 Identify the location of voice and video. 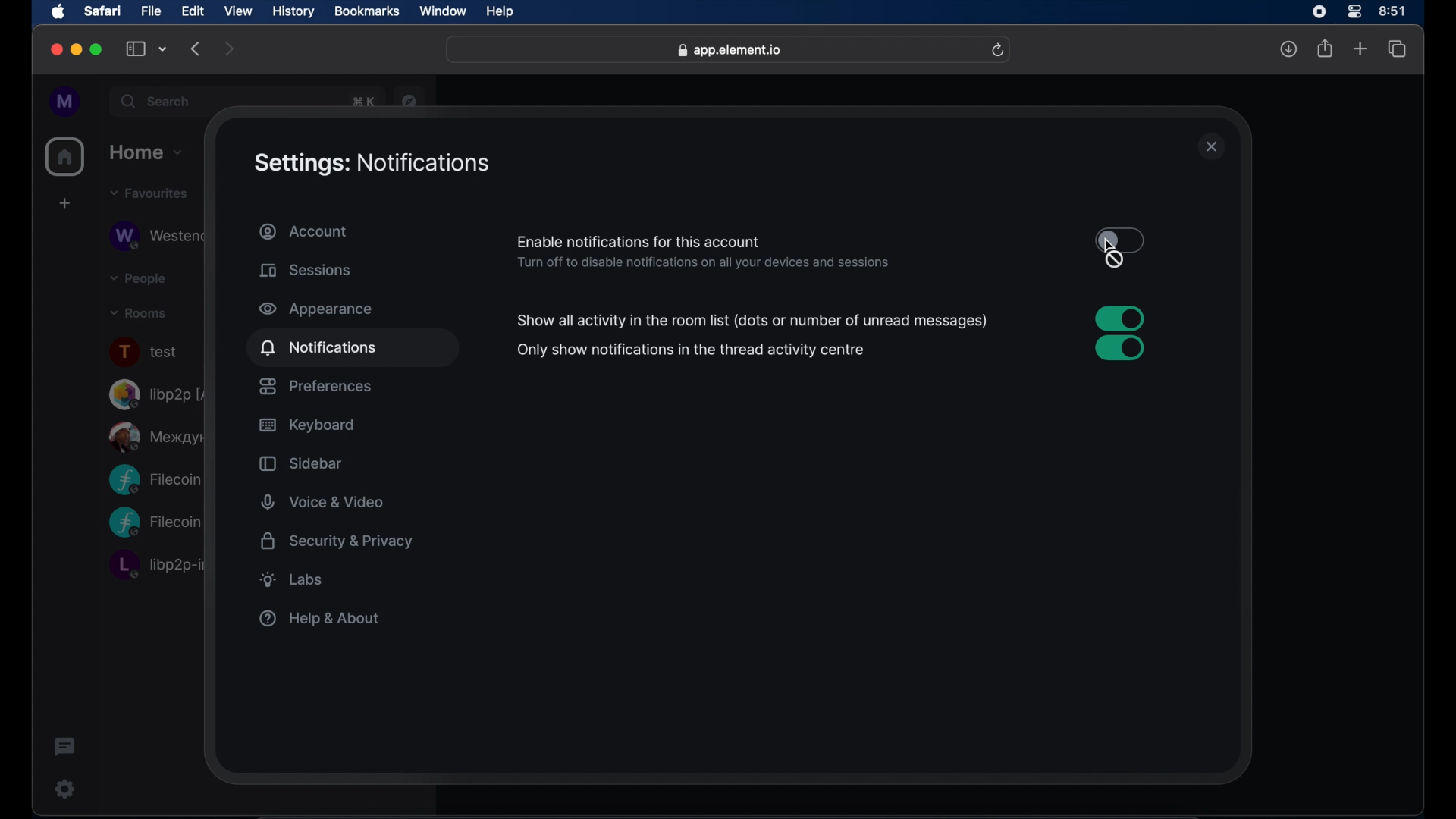
(321, 502).